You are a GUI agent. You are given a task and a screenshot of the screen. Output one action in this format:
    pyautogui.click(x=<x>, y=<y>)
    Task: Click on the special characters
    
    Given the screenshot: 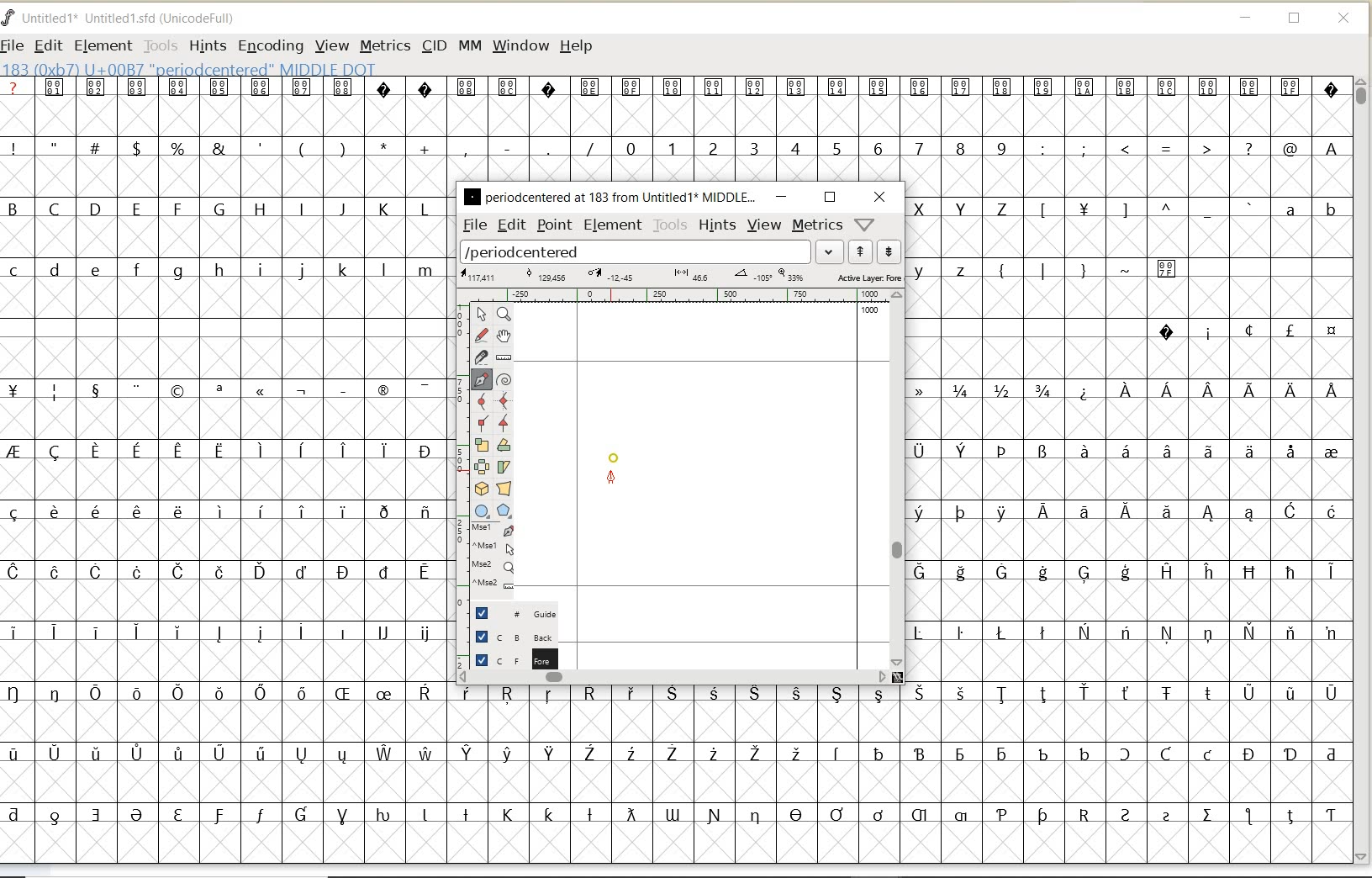 What is the action you would take?
    pyautogui.click(x=219, y=601)
    